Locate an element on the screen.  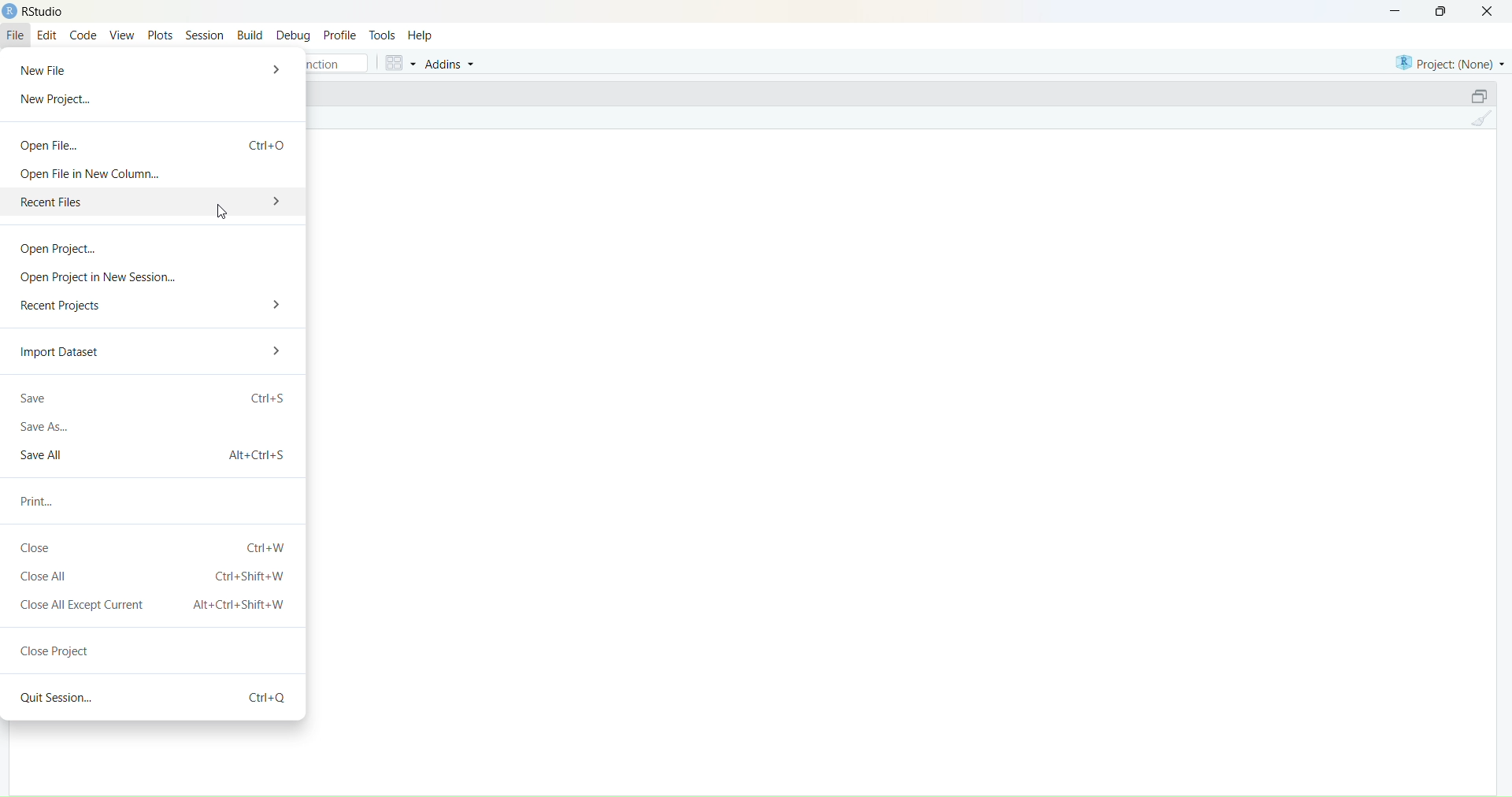
Close All Ctrl+Shift+W is located at coordinates (156, 576).